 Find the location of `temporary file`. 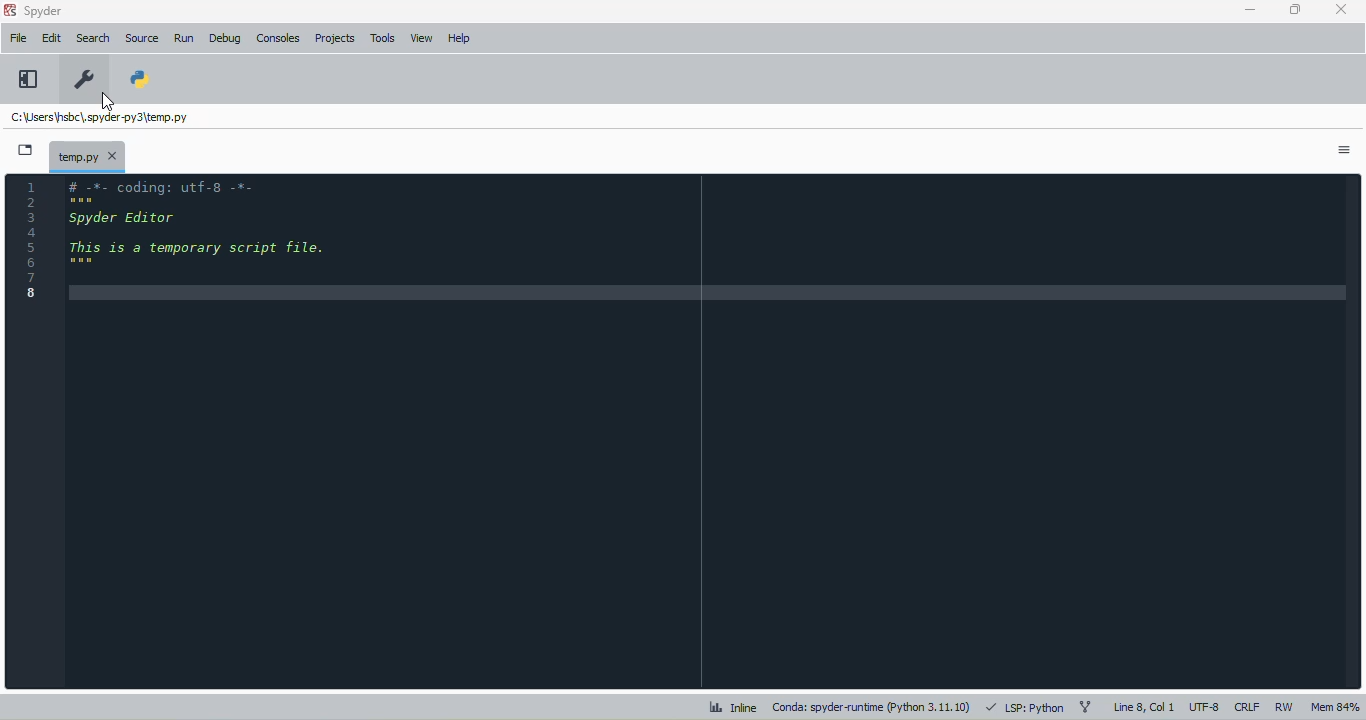

temporary file is located at coordinates (99, 117).